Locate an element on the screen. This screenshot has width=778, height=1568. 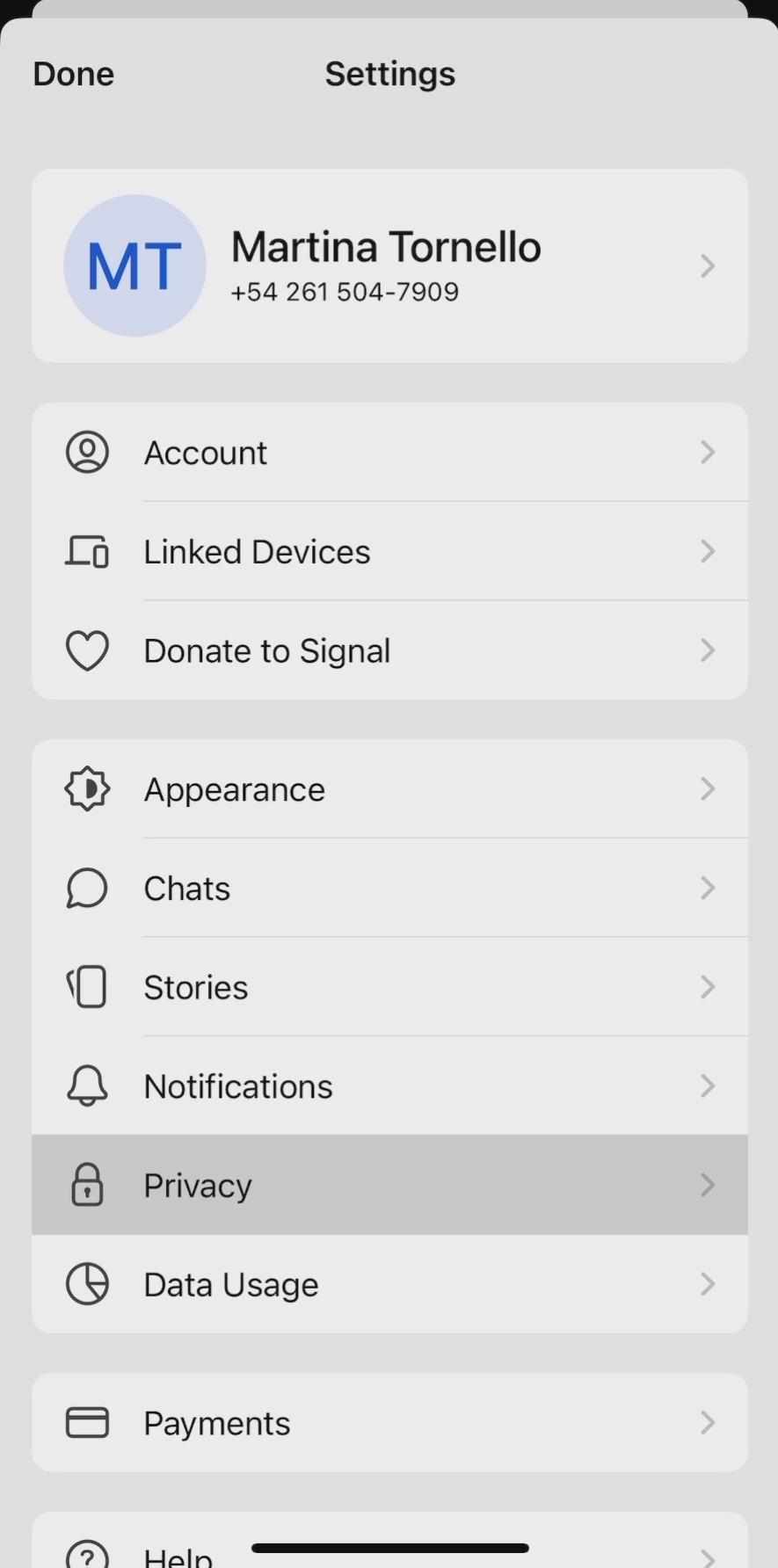
notifications is located at coordinates (390, 1089).